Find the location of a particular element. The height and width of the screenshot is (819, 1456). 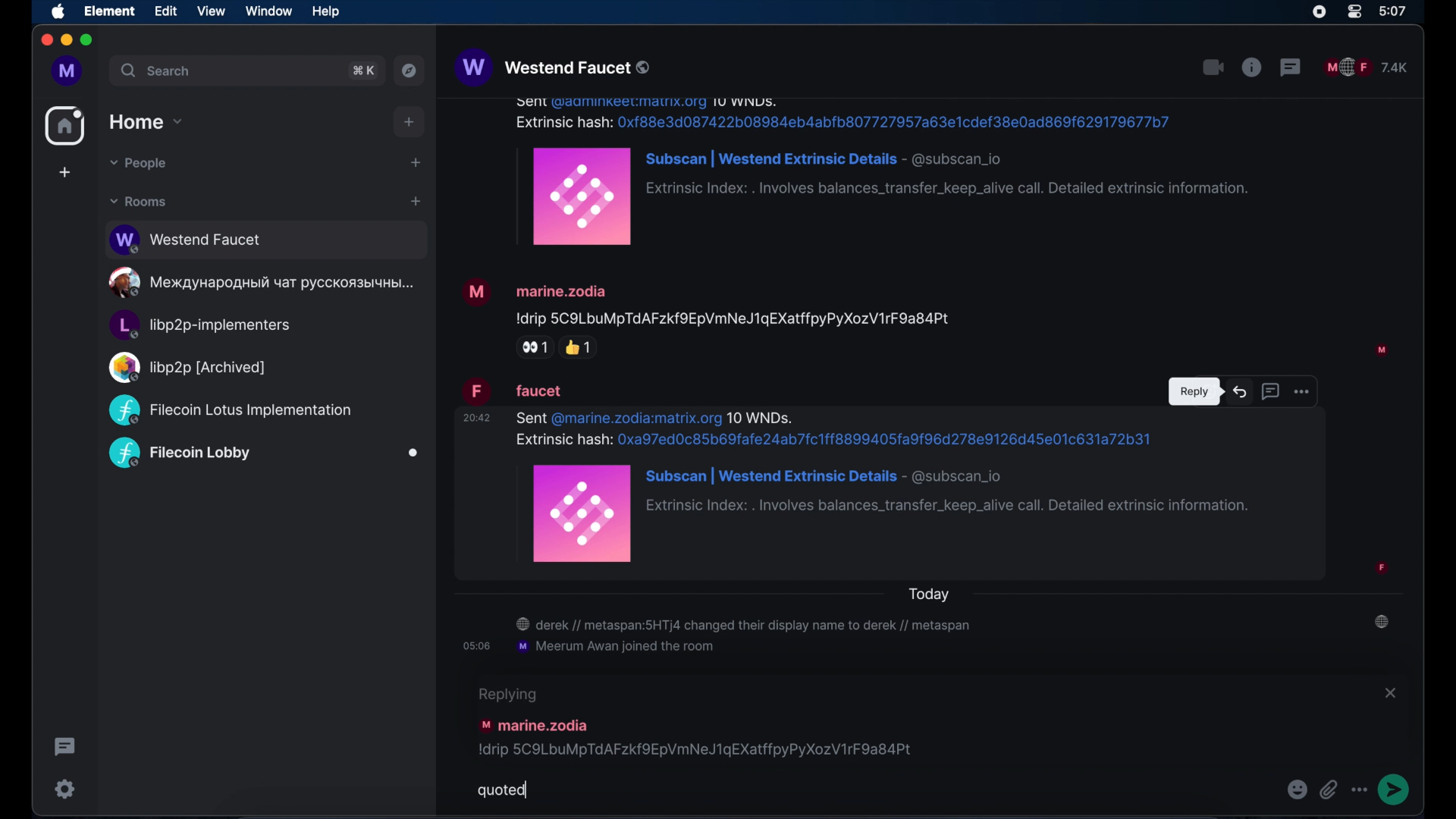

today is located at coordinates (931, 593).